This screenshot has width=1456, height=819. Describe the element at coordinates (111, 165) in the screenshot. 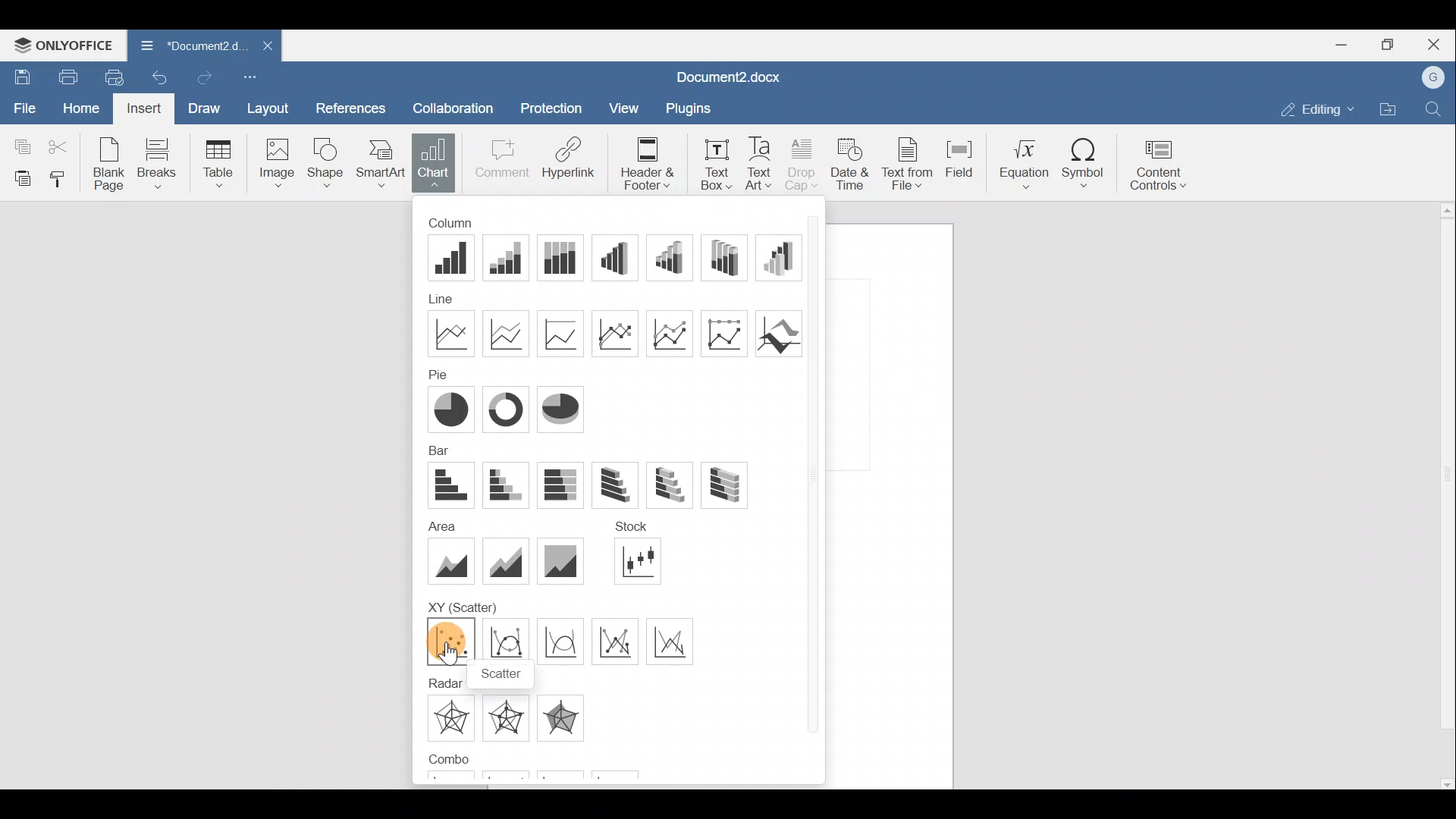

I see `Blank page` at that location.